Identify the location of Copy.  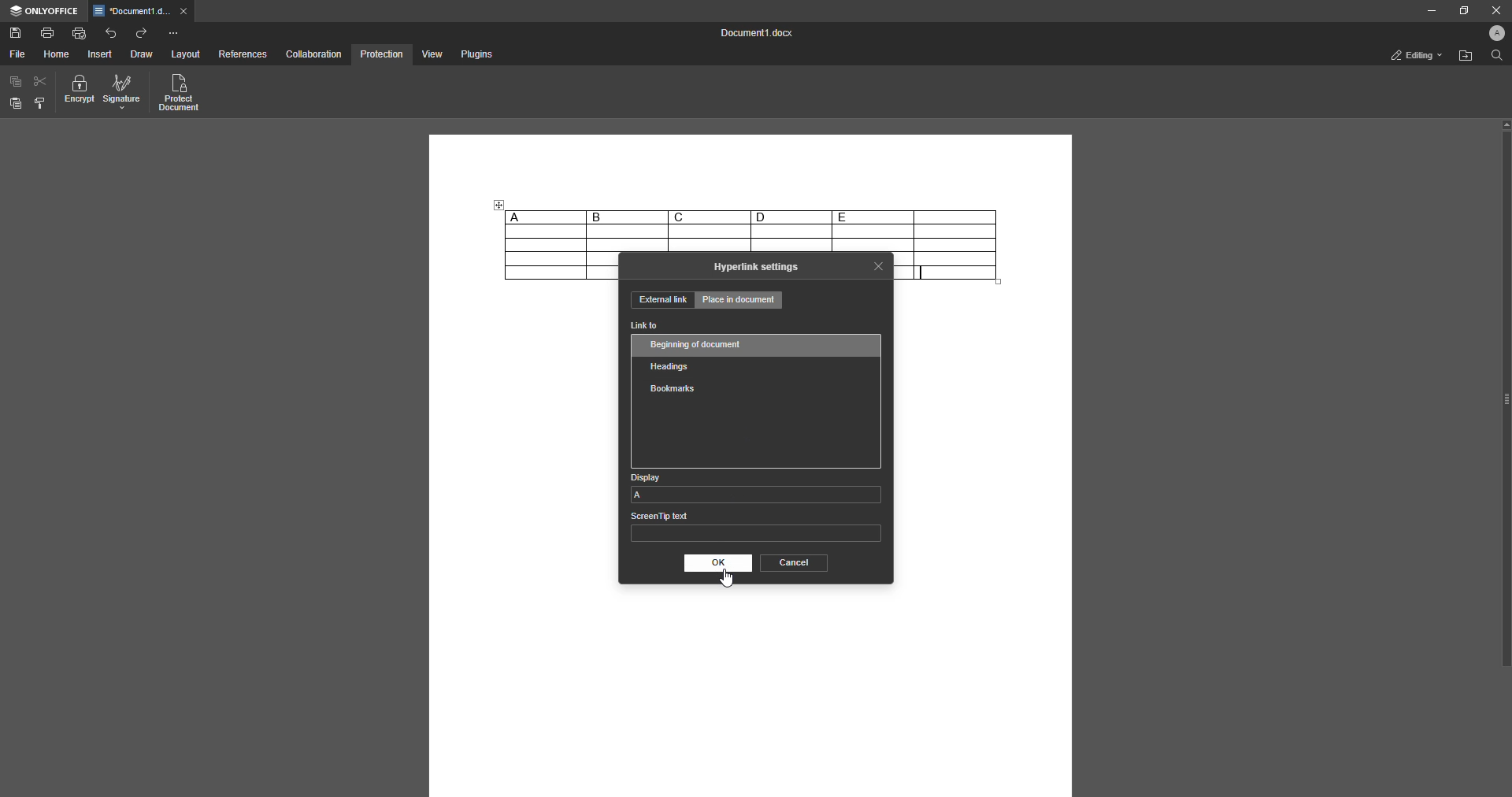
(16, 82).